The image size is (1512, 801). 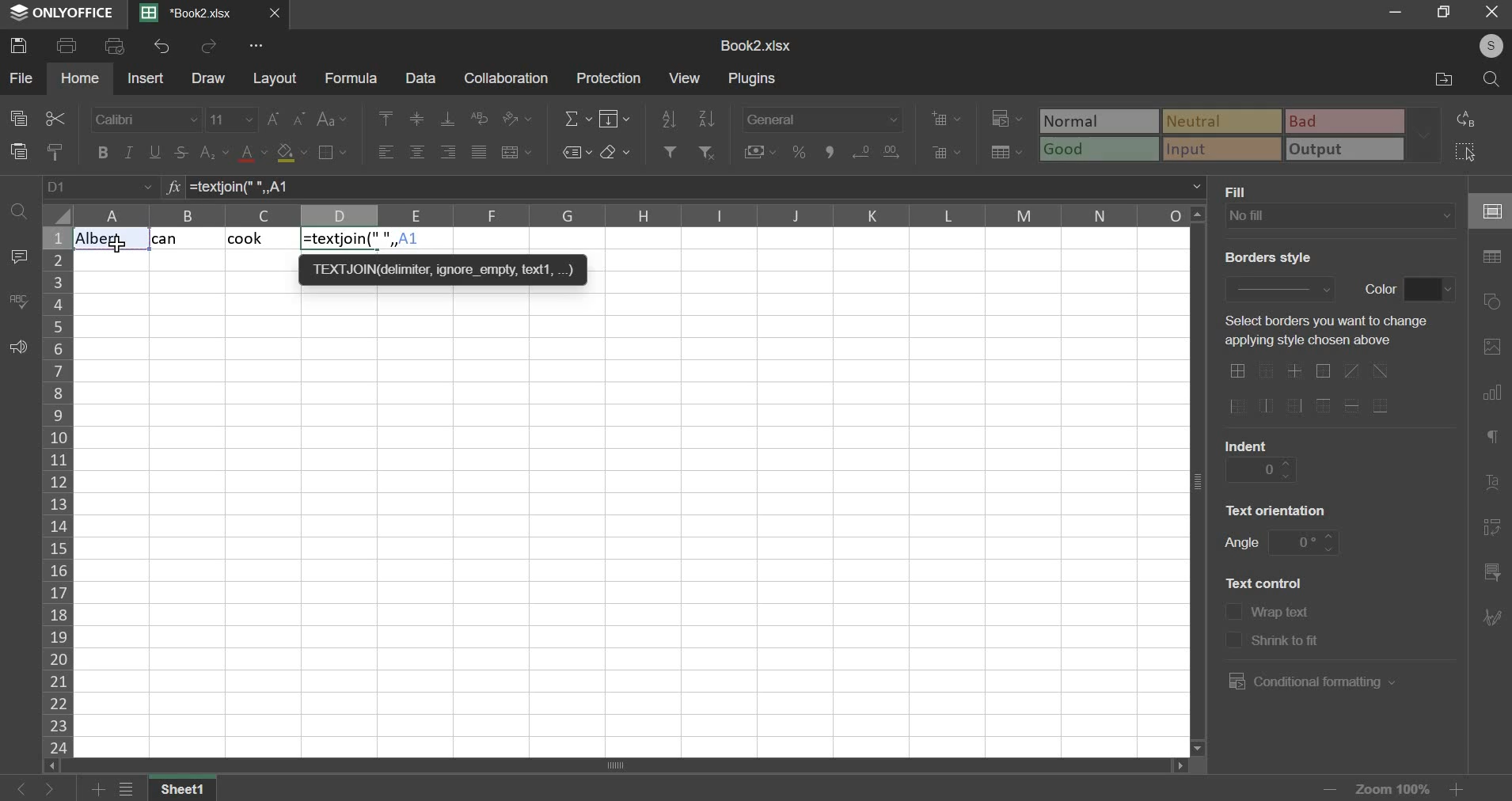 I want to click on print, so click(x=67, y=46).